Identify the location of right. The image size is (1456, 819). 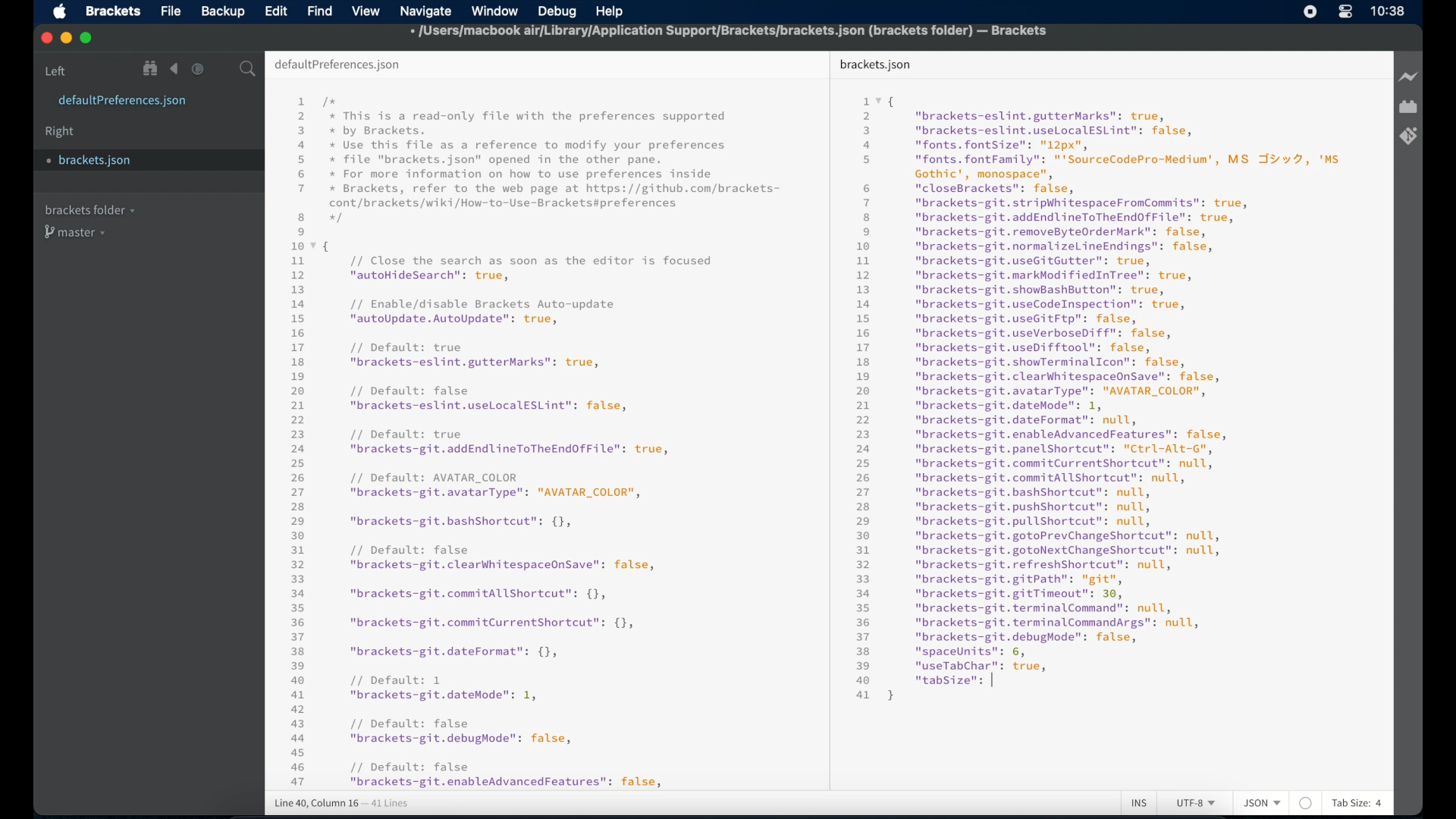
(60, 132).